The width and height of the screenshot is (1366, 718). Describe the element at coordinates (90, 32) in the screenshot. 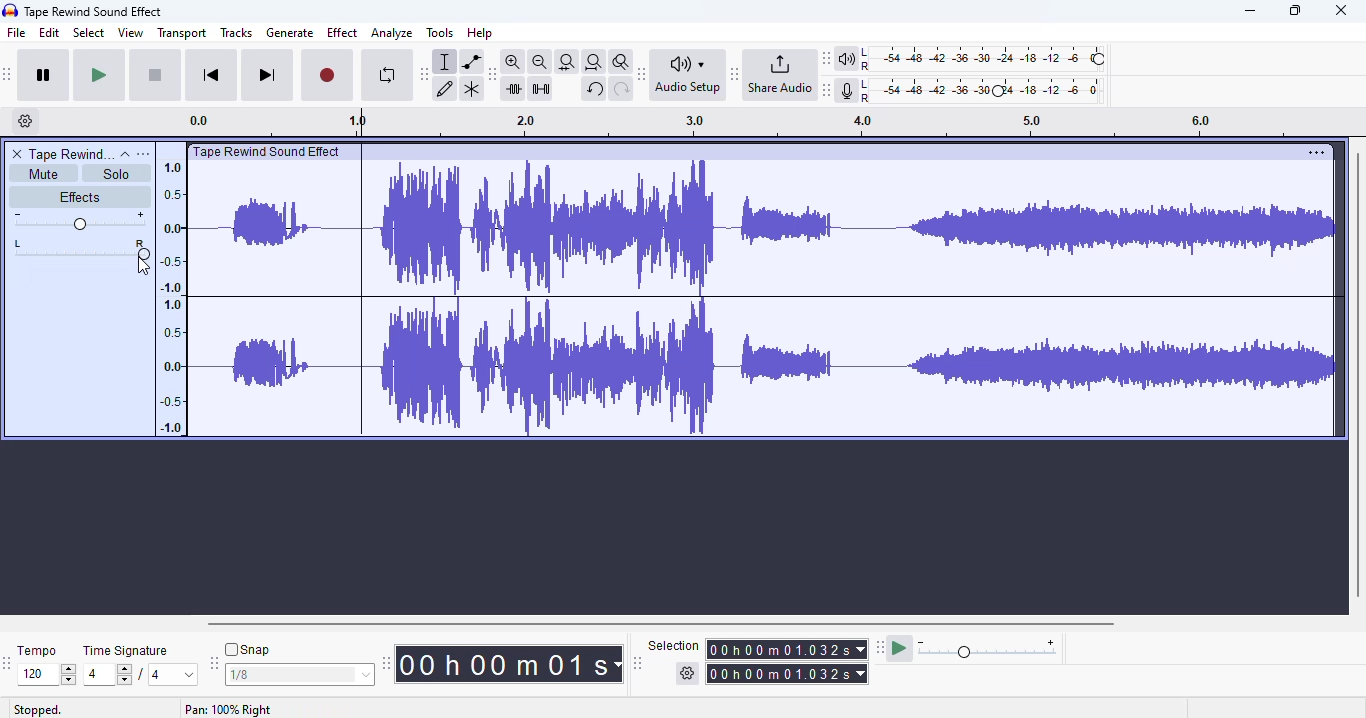

I see `select` at that location.